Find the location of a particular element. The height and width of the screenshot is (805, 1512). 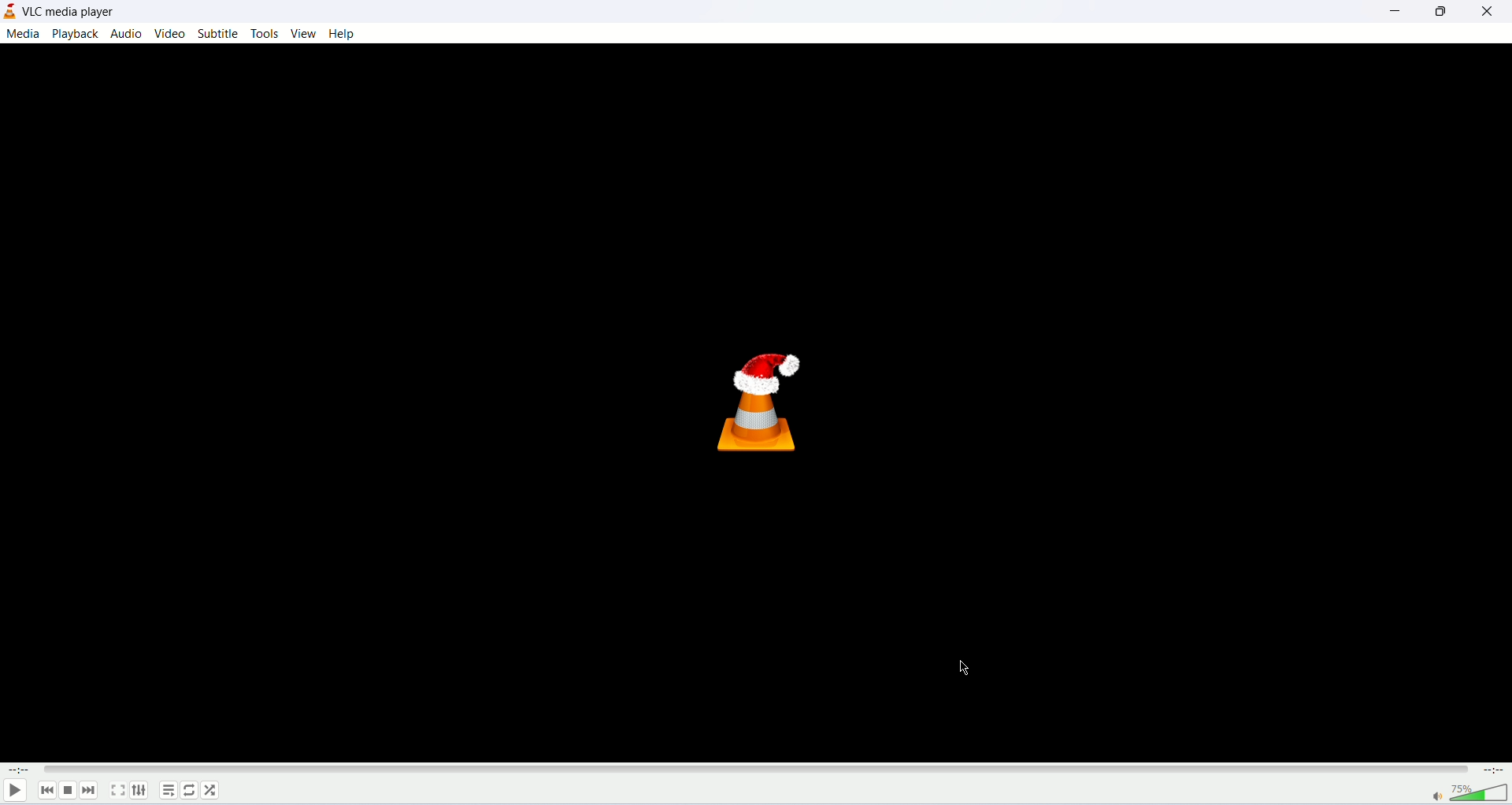

VLC media player is located at coordinates (70, 12).